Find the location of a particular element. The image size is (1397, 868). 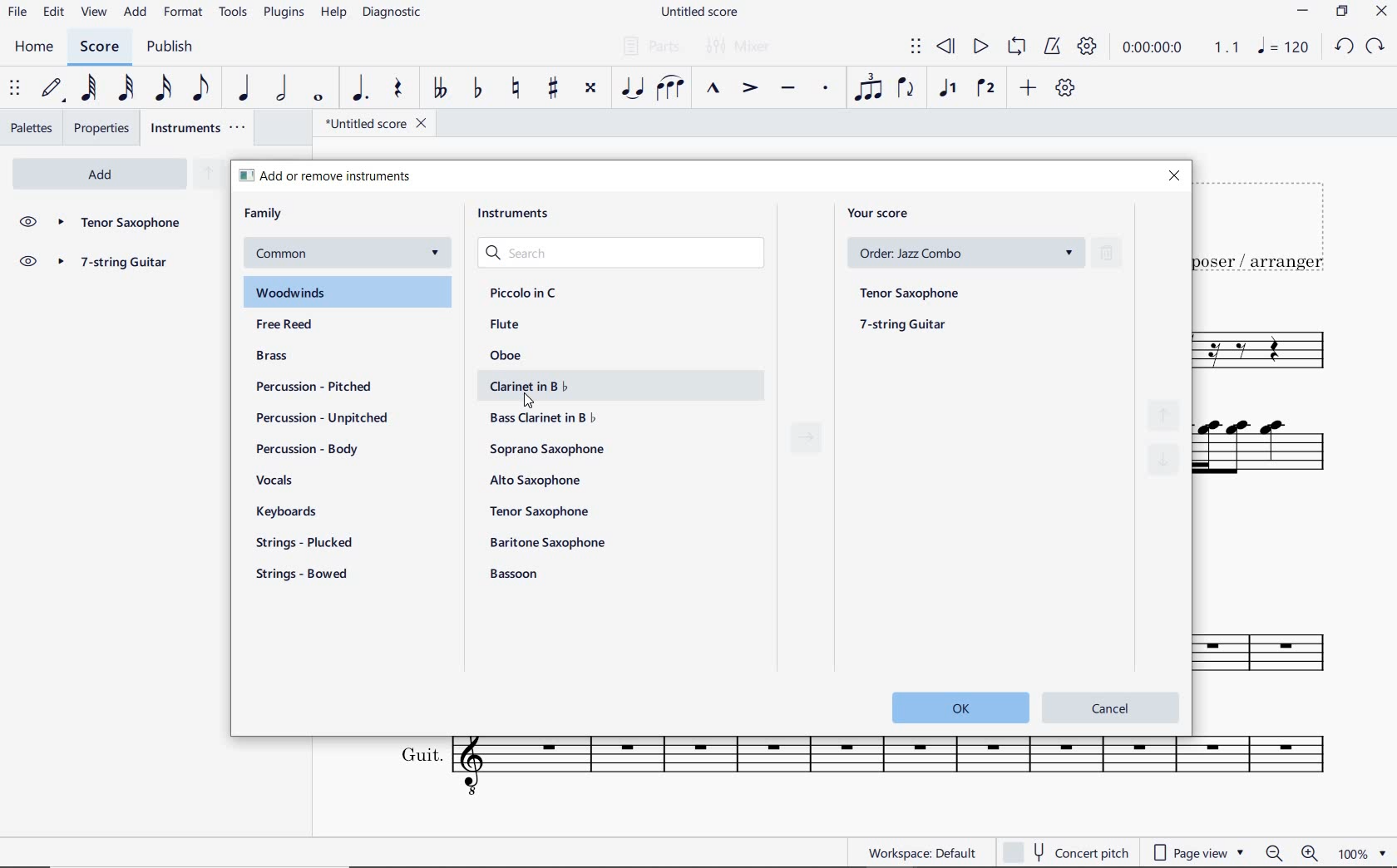

QUARTER NOTE is located at coordinates (245, 88).